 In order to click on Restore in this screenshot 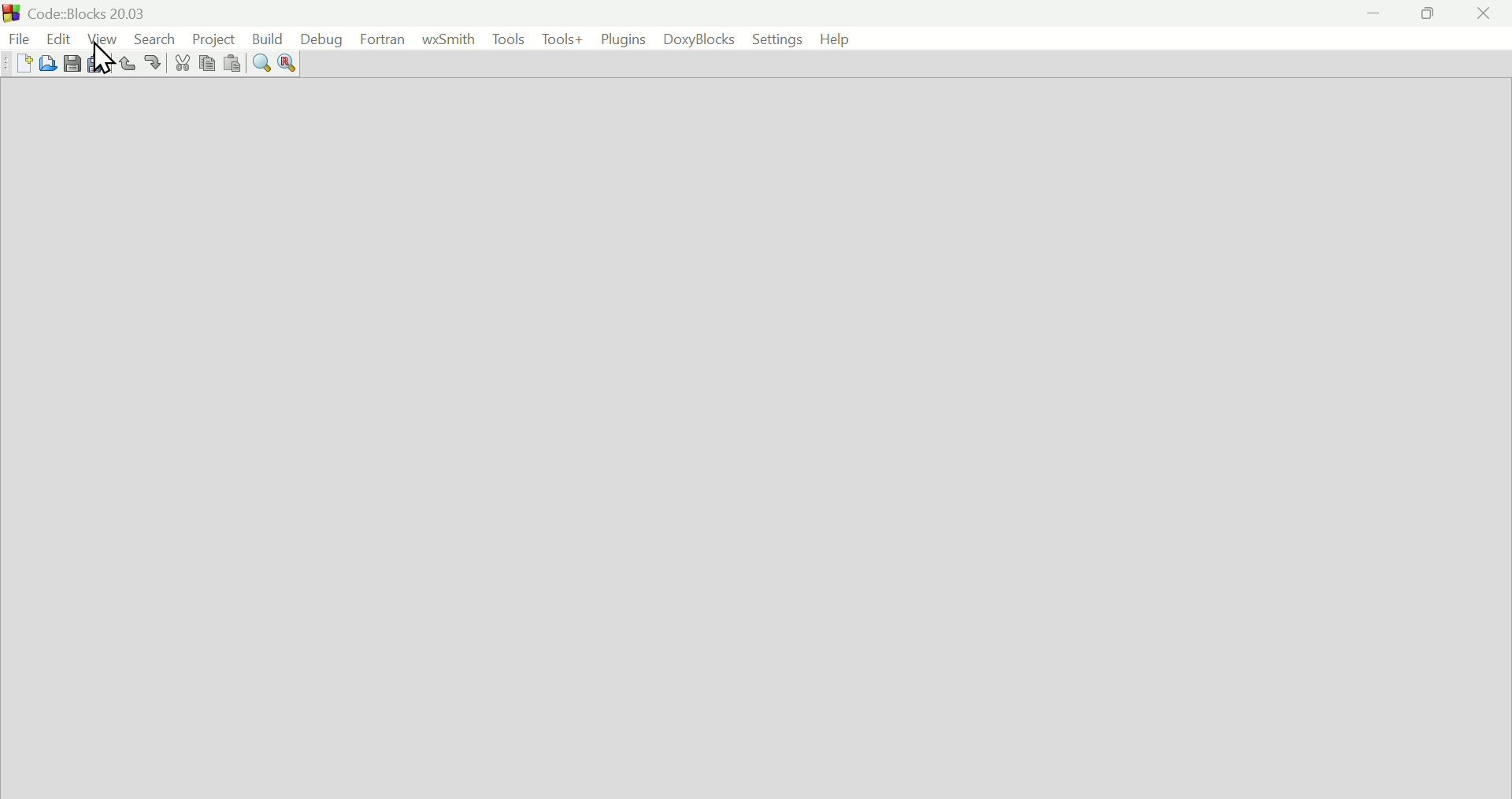, I will do `click(1423, 13)`.